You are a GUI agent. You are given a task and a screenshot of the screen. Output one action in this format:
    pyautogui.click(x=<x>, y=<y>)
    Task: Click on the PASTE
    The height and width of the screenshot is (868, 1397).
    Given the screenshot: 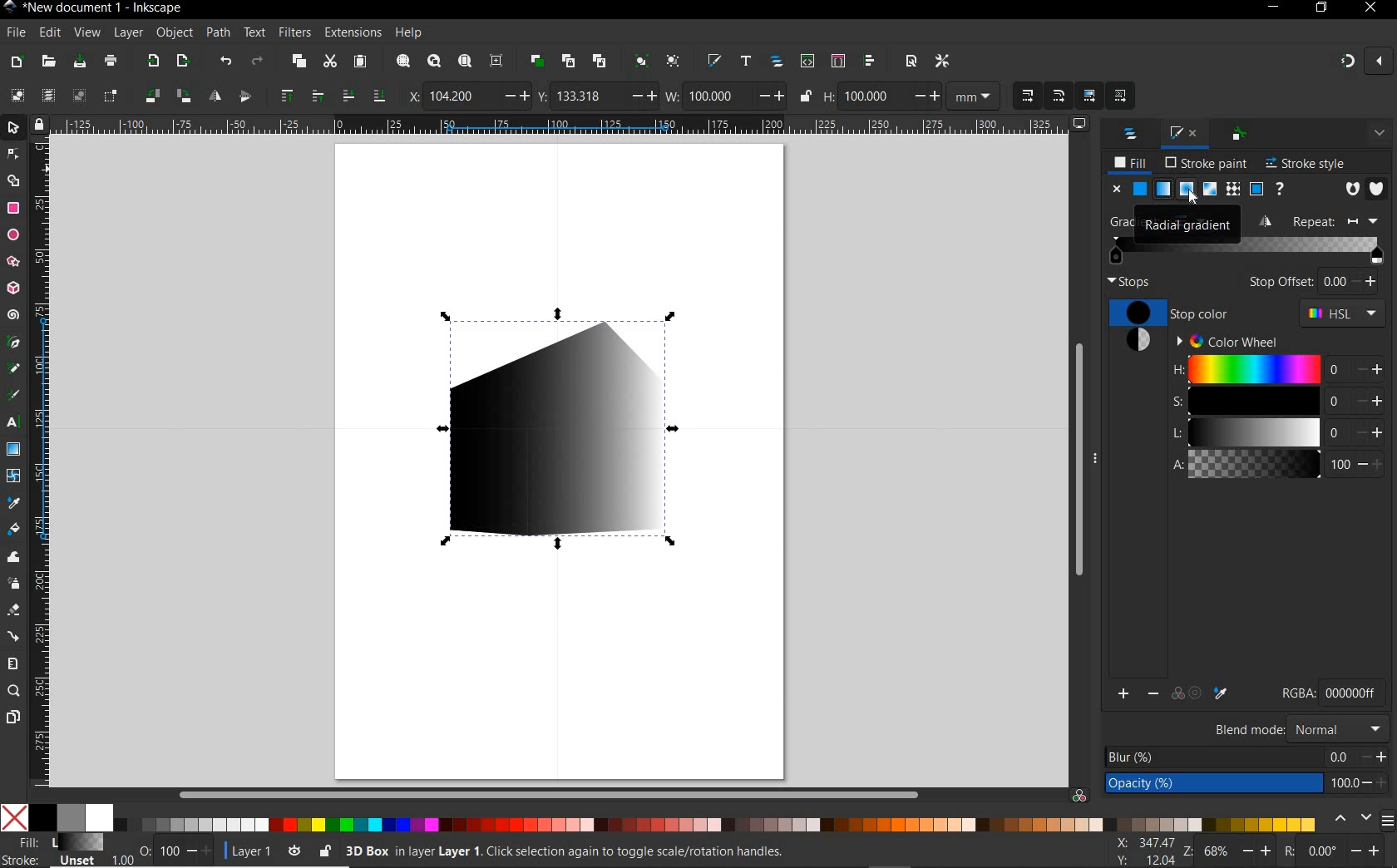 What is the action you would take?
    pyautogui.click(x=359, y=62)
    